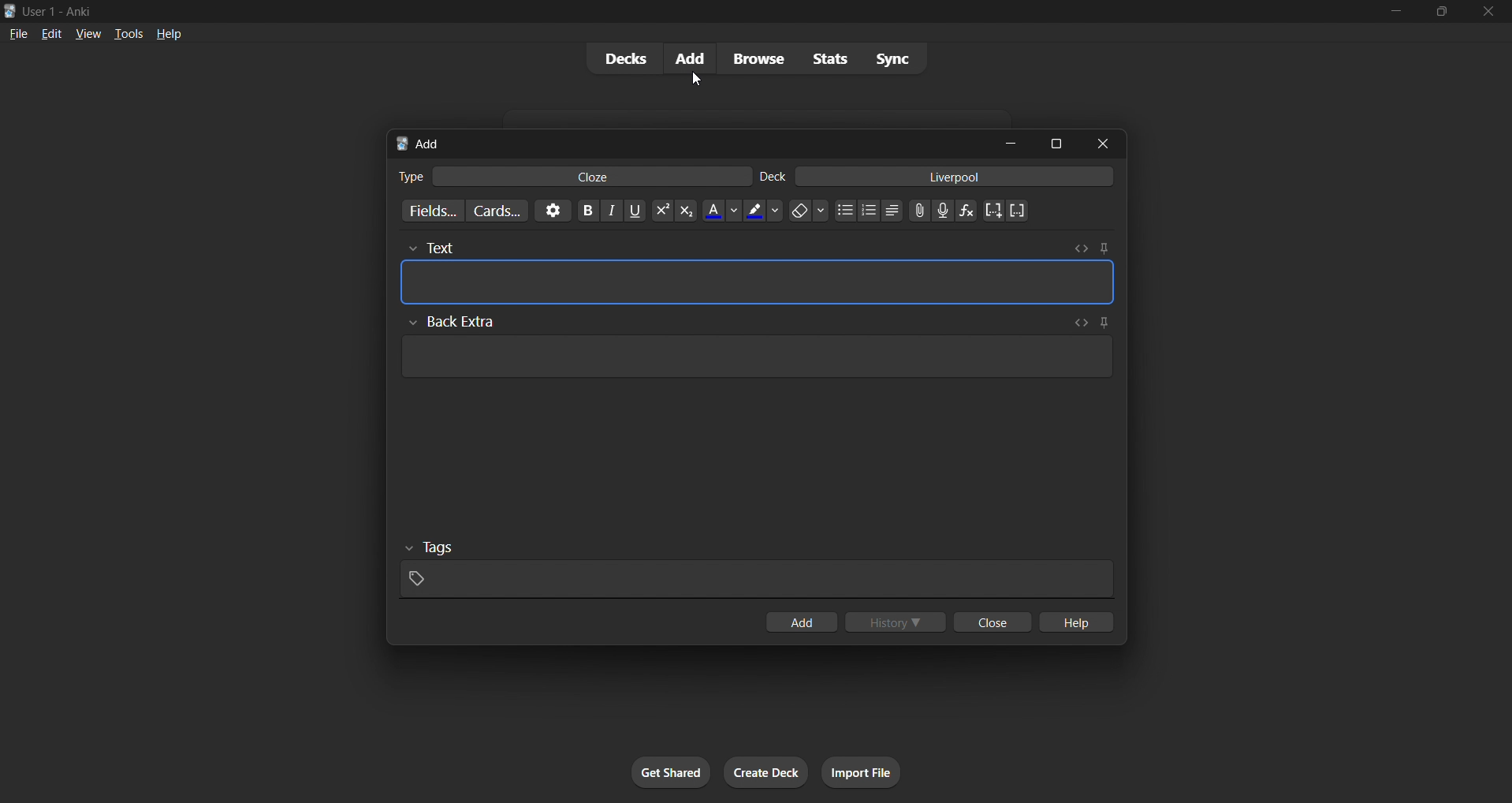  I want to click on cloze deletion, so click(994, 210).